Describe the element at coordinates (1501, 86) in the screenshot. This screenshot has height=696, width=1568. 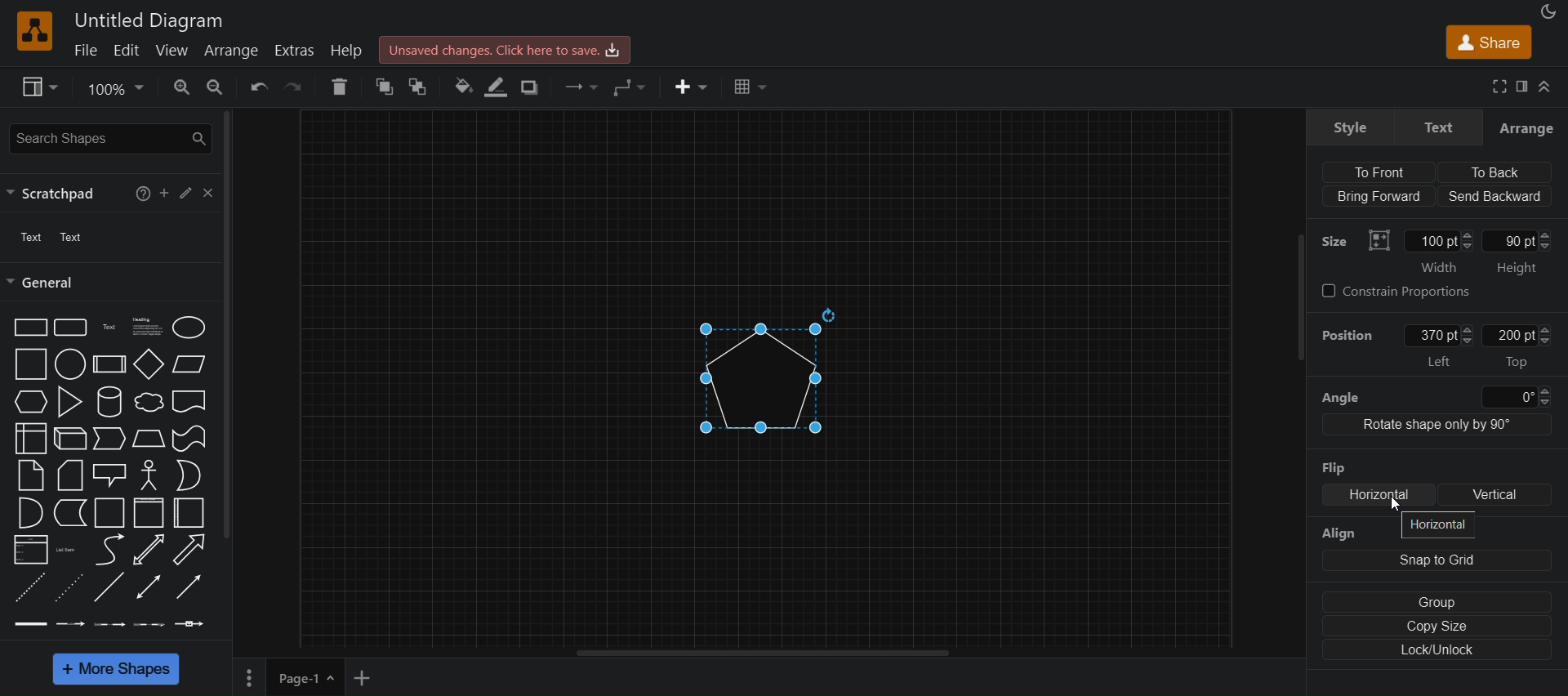
I see `fullscreen` at that location.